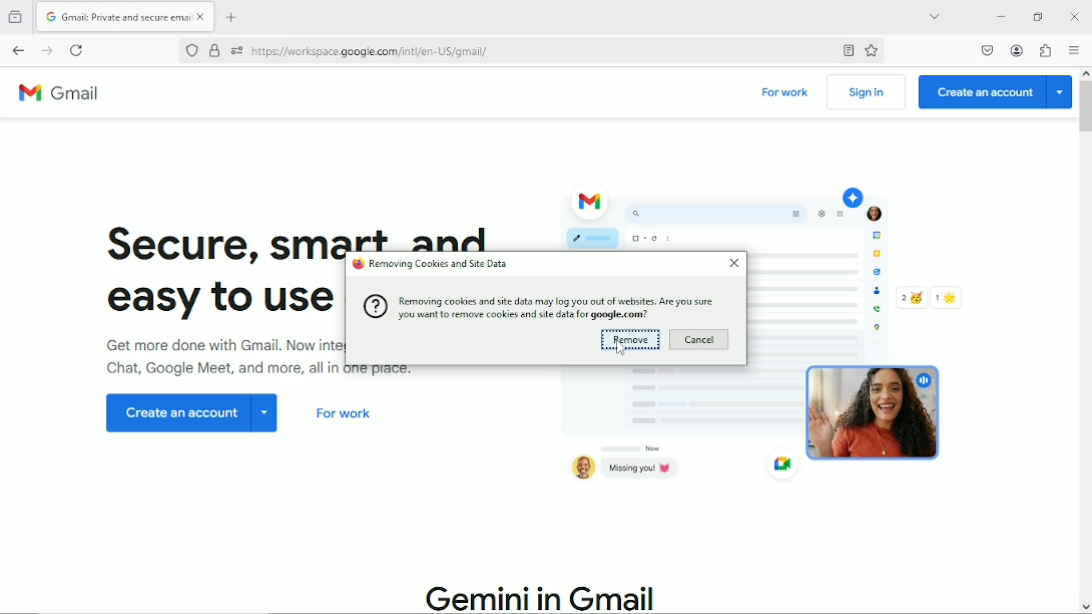  What do you see at coordinates (215, 52) in the screenshot?
I see `Verified by Google Trust Services` at bounding box center [215, 52].